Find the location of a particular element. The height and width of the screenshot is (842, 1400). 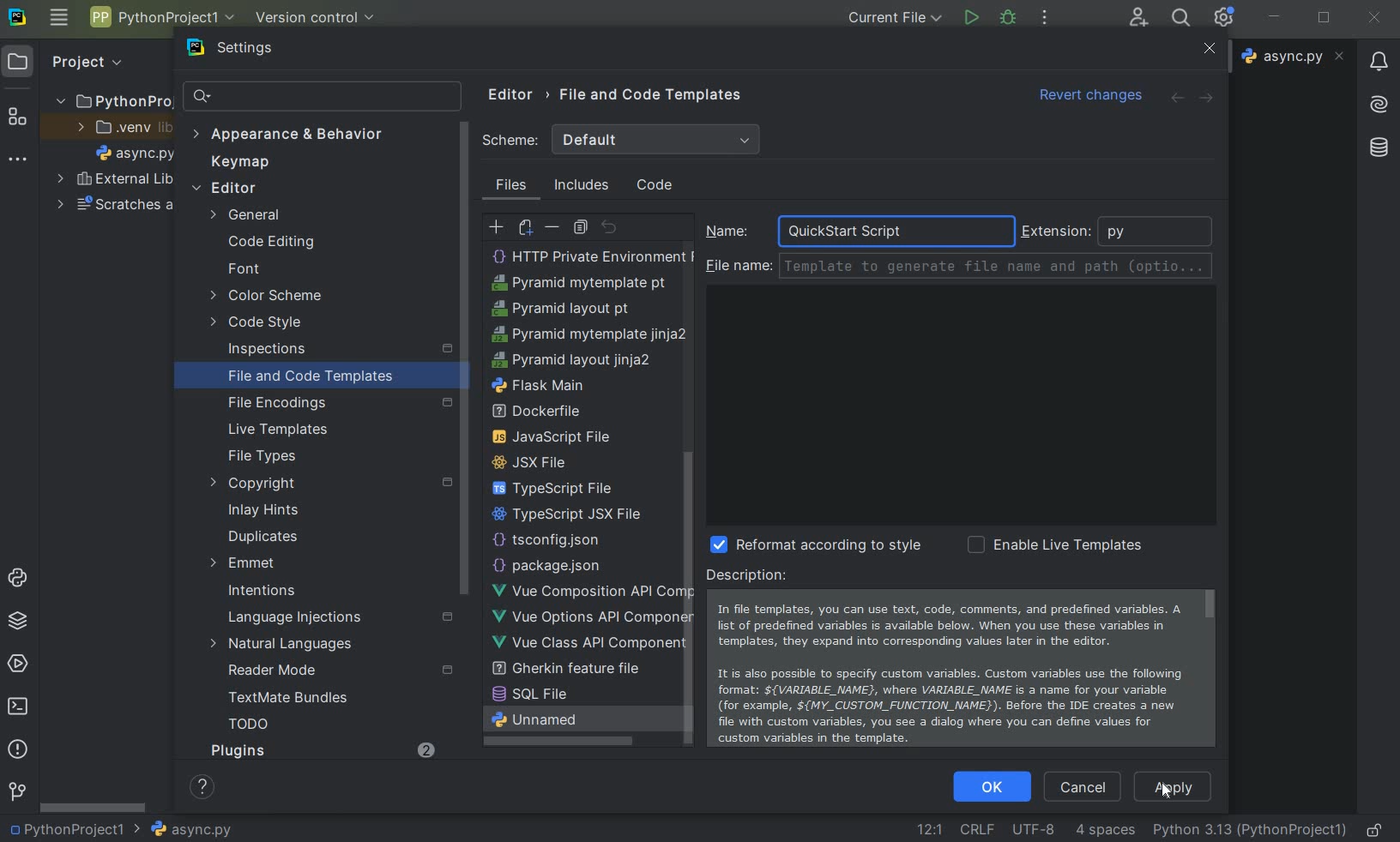

scrollbar is located at coordinates (688, 396).